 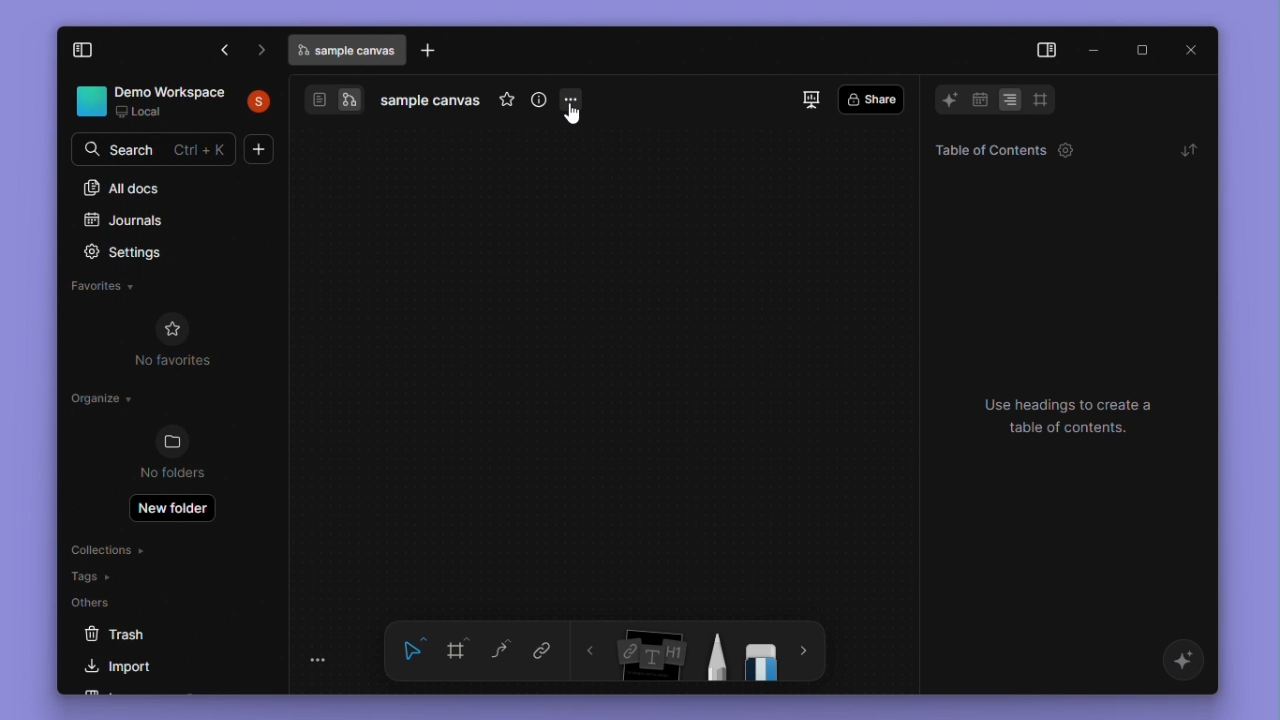 What do you see at coordinates (104, 402) in the screenshot?
I see `Organise` at bounding box center [104, 402].